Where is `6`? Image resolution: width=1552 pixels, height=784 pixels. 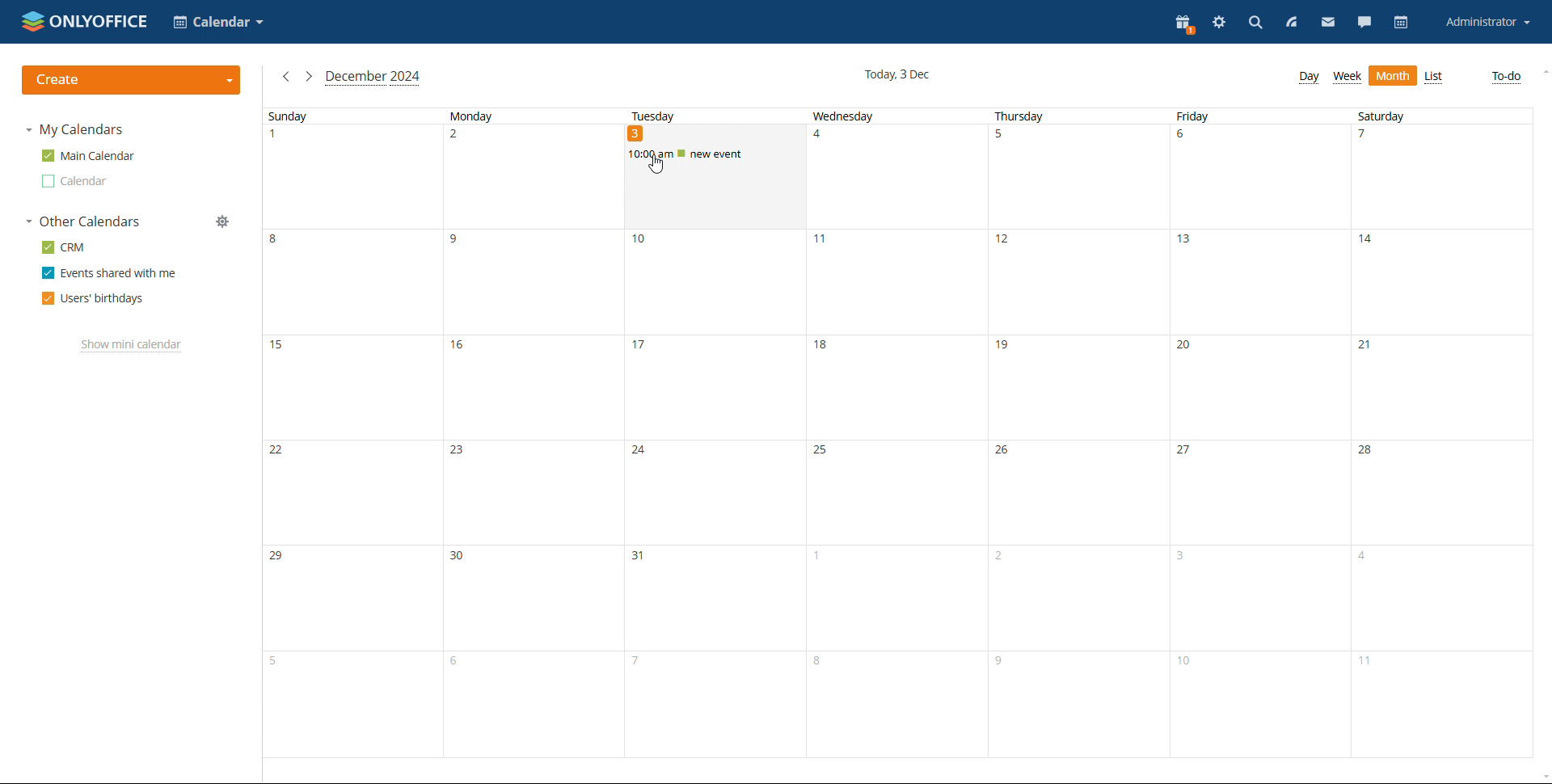
6 is located at coordinates (1258, 176).